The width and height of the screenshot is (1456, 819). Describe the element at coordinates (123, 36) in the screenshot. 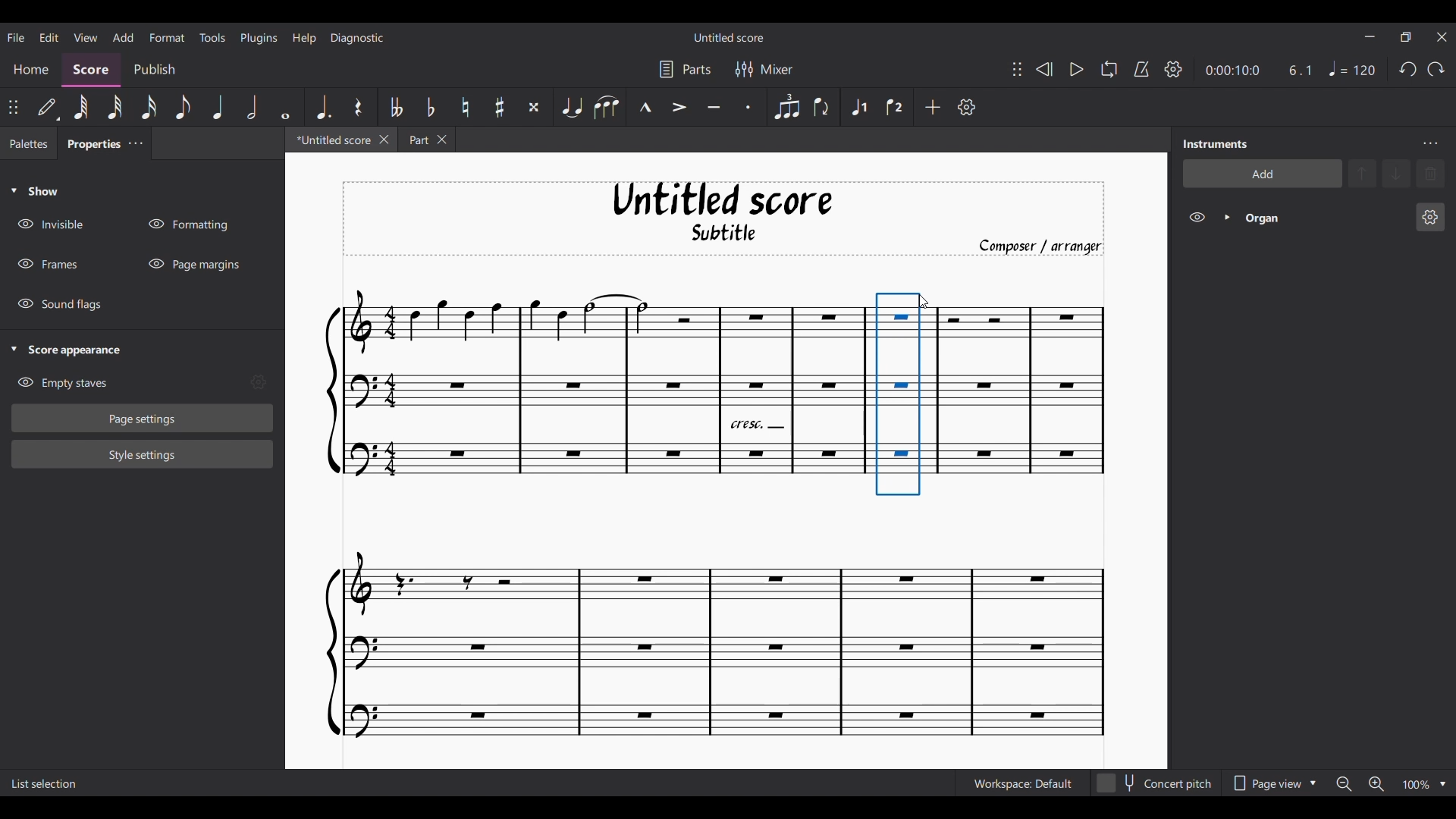

I see `Add menu` at that location.